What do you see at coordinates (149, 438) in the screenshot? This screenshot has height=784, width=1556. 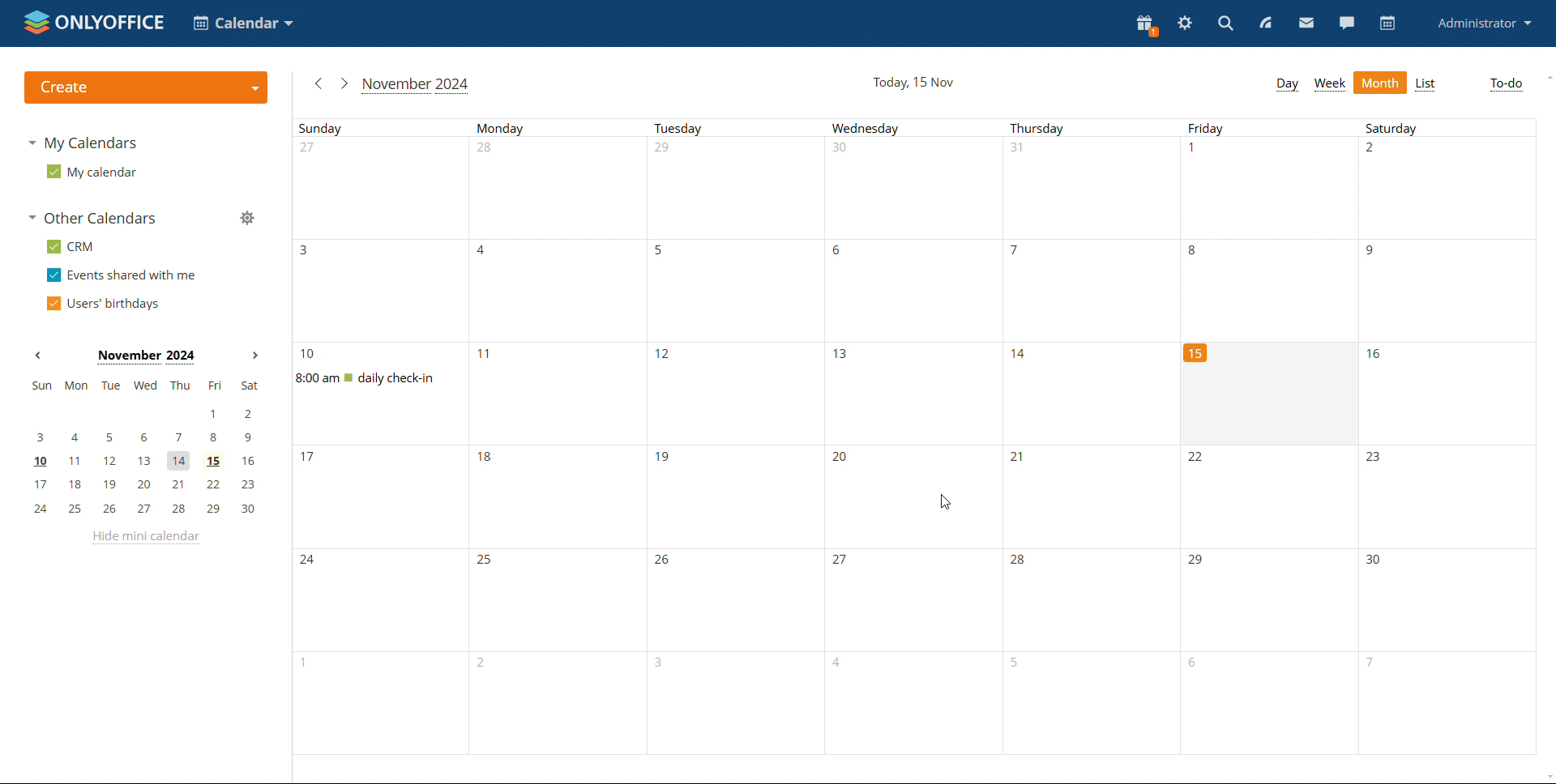 I see `3, 4, 5, 6, 7, 8, 9` at bounding box center [149, 438].